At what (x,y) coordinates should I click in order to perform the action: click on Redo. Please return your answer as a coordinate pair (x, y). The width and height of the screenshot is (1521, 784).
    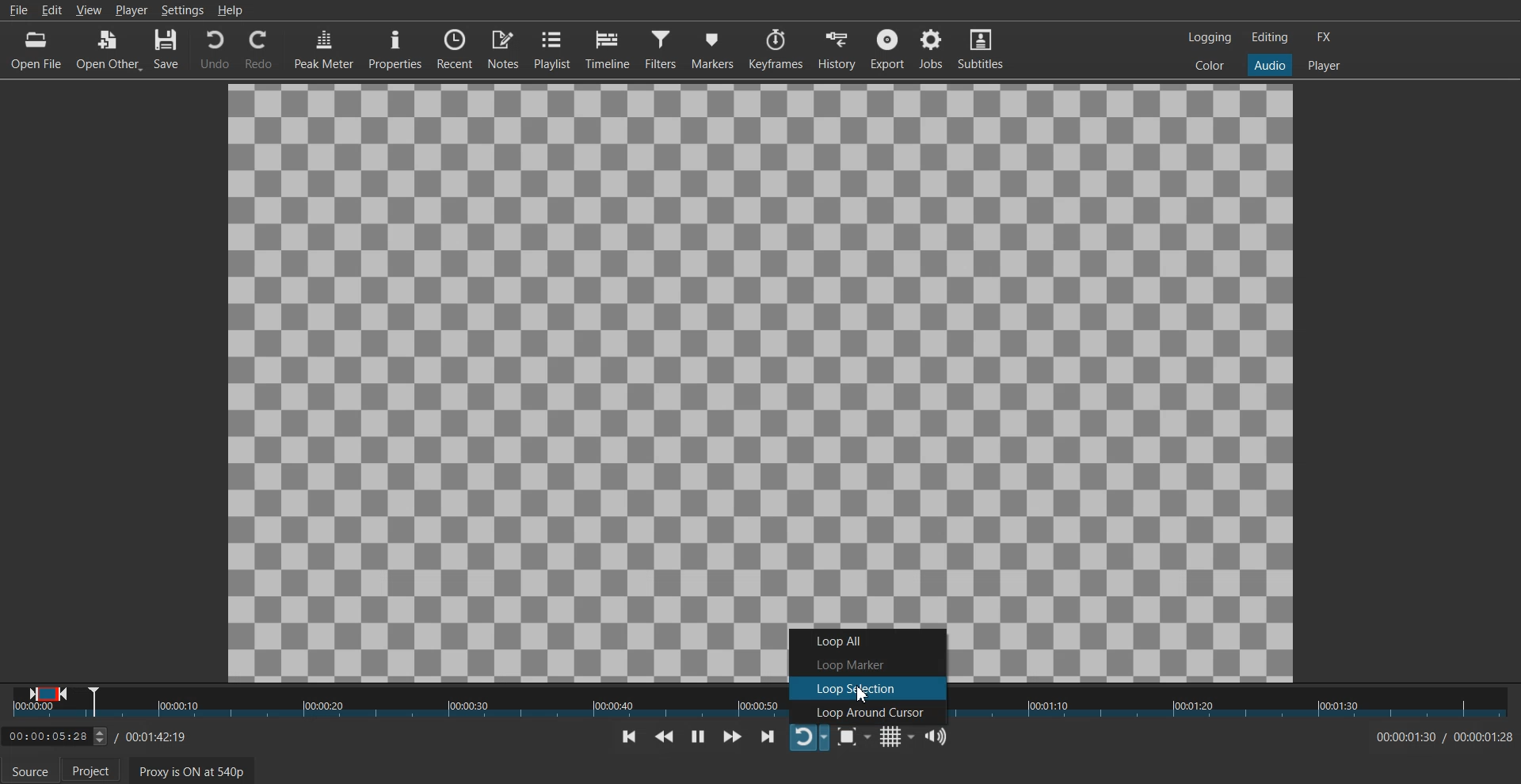
    Looking at the image, I should click on (259, 49).